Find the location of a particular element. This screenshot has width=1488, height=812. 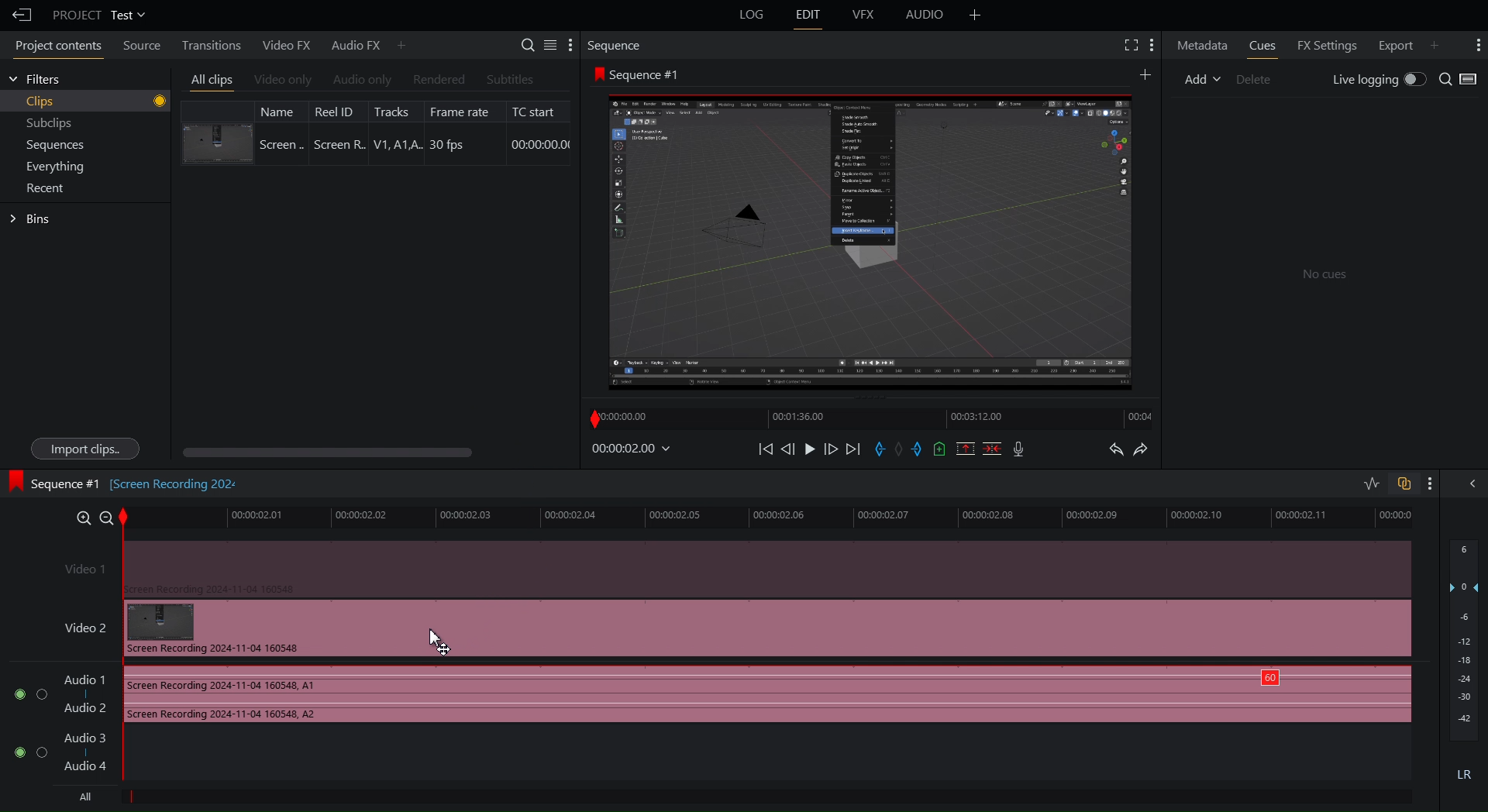

Log  is located at coordinates (749, 15).